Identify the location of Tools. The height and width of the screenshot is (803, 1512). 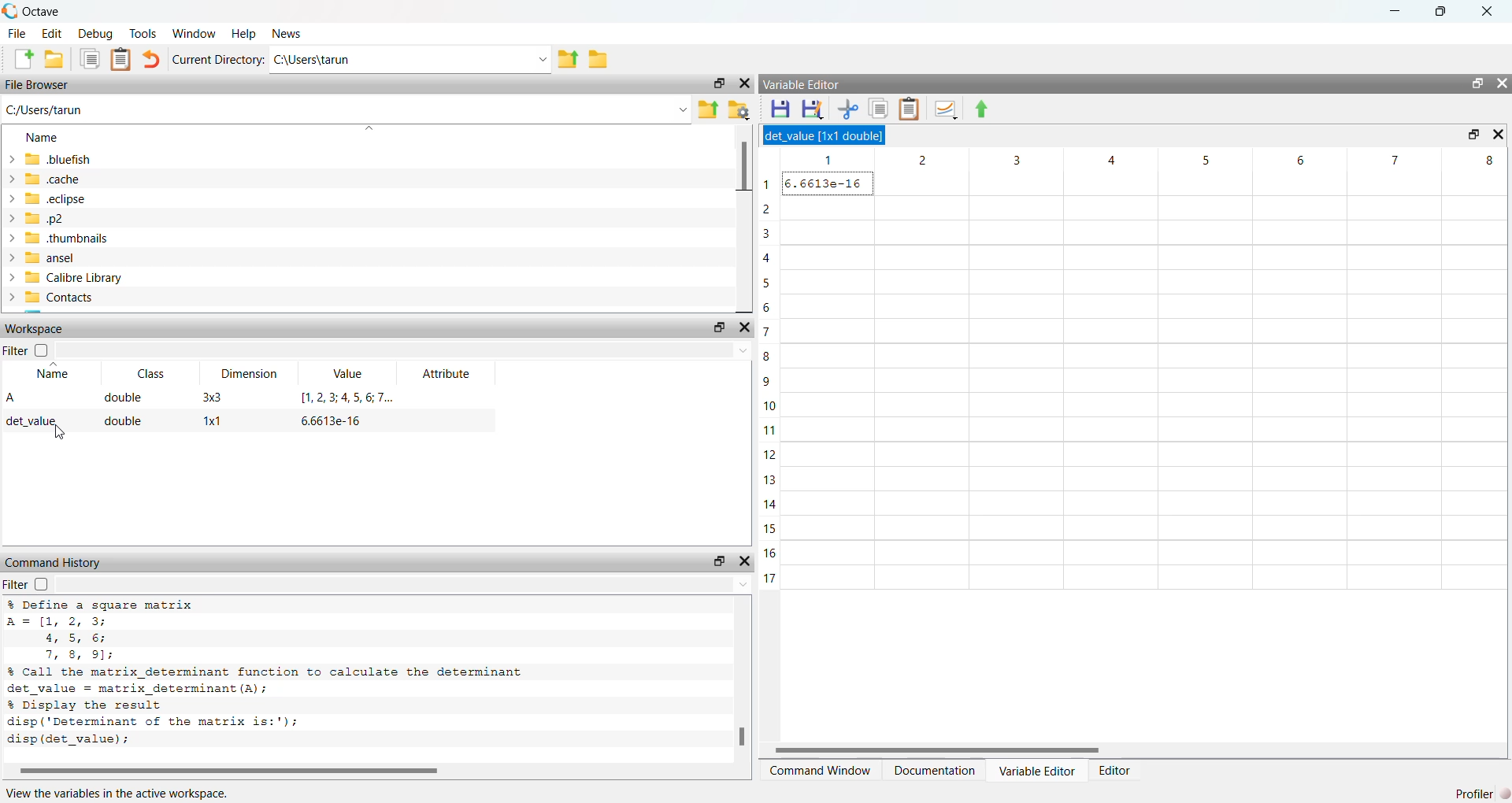
(144, 33).